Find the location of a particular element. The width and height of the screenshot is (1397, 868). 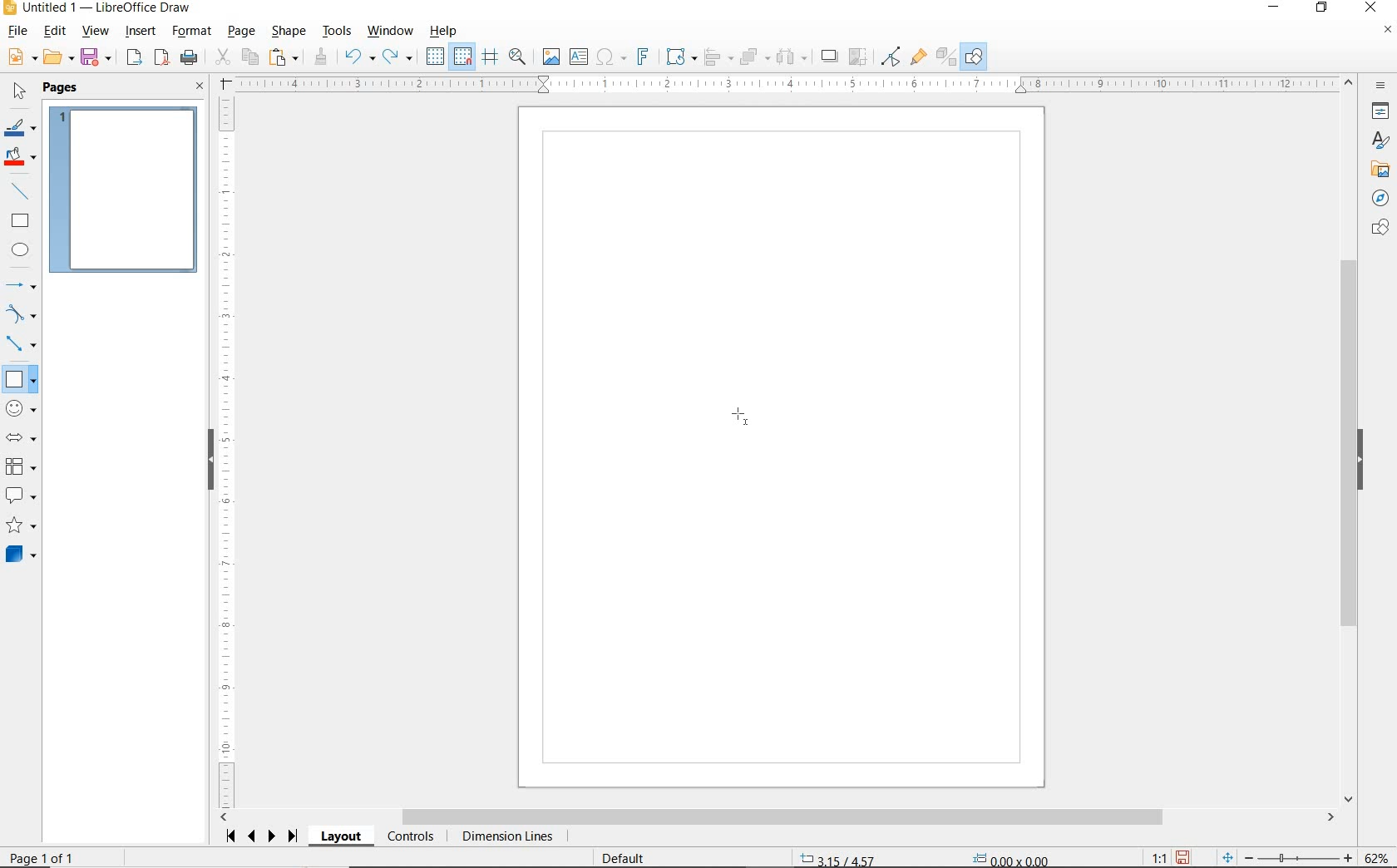

square is located at coordinates (743, 420).